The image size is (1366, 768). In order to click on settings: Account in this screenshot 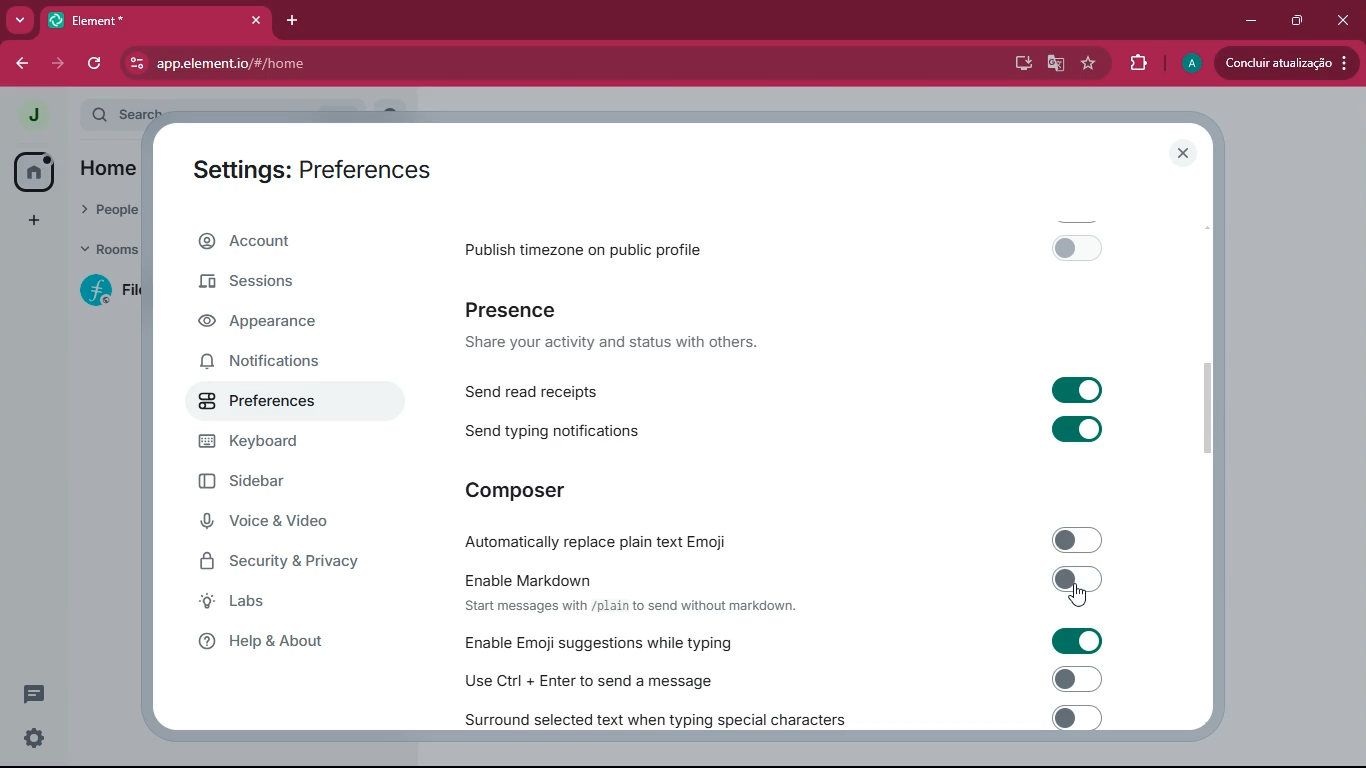, I will do `click(303, 166)`.